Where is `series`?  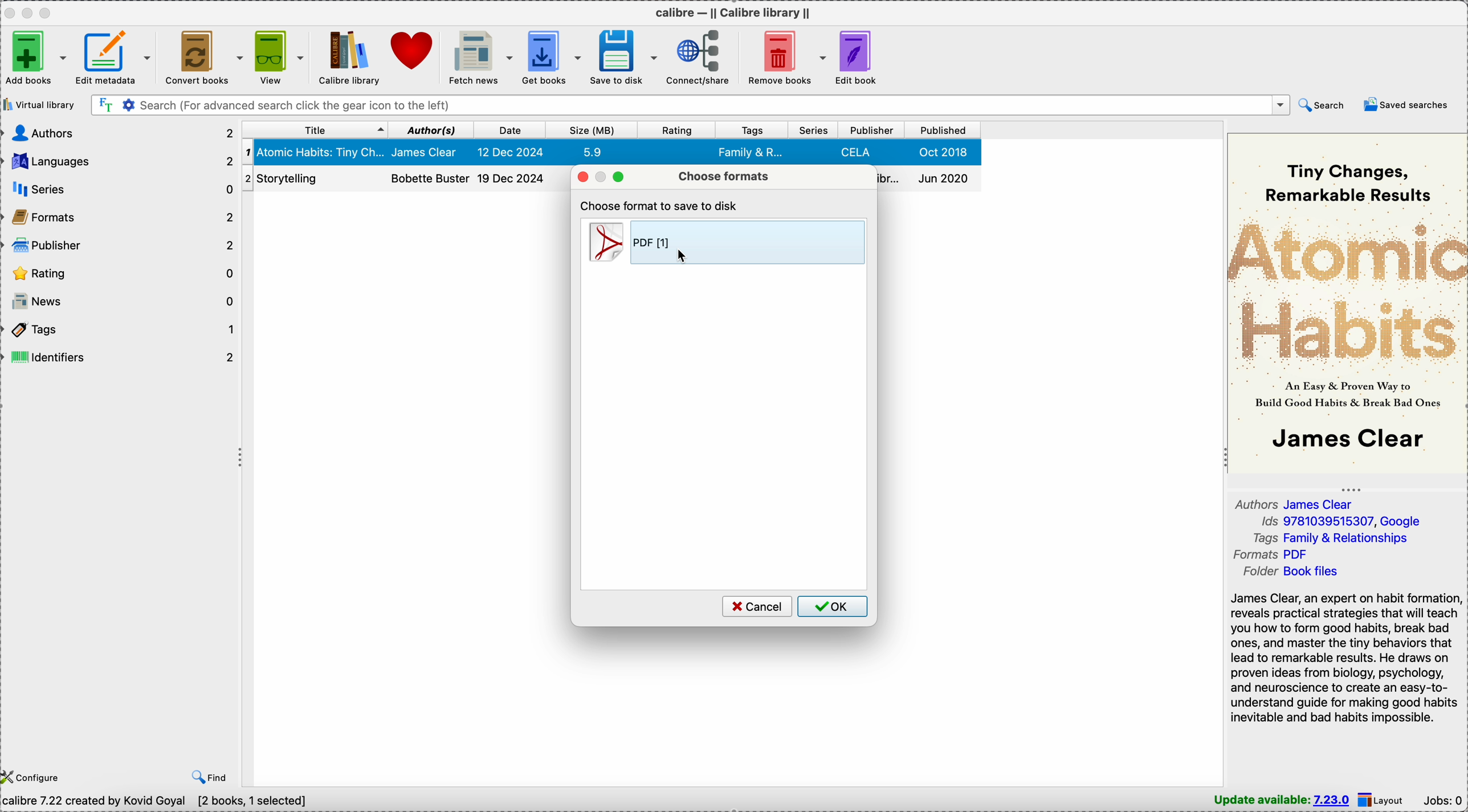 series is located at coordinates (121, 191).